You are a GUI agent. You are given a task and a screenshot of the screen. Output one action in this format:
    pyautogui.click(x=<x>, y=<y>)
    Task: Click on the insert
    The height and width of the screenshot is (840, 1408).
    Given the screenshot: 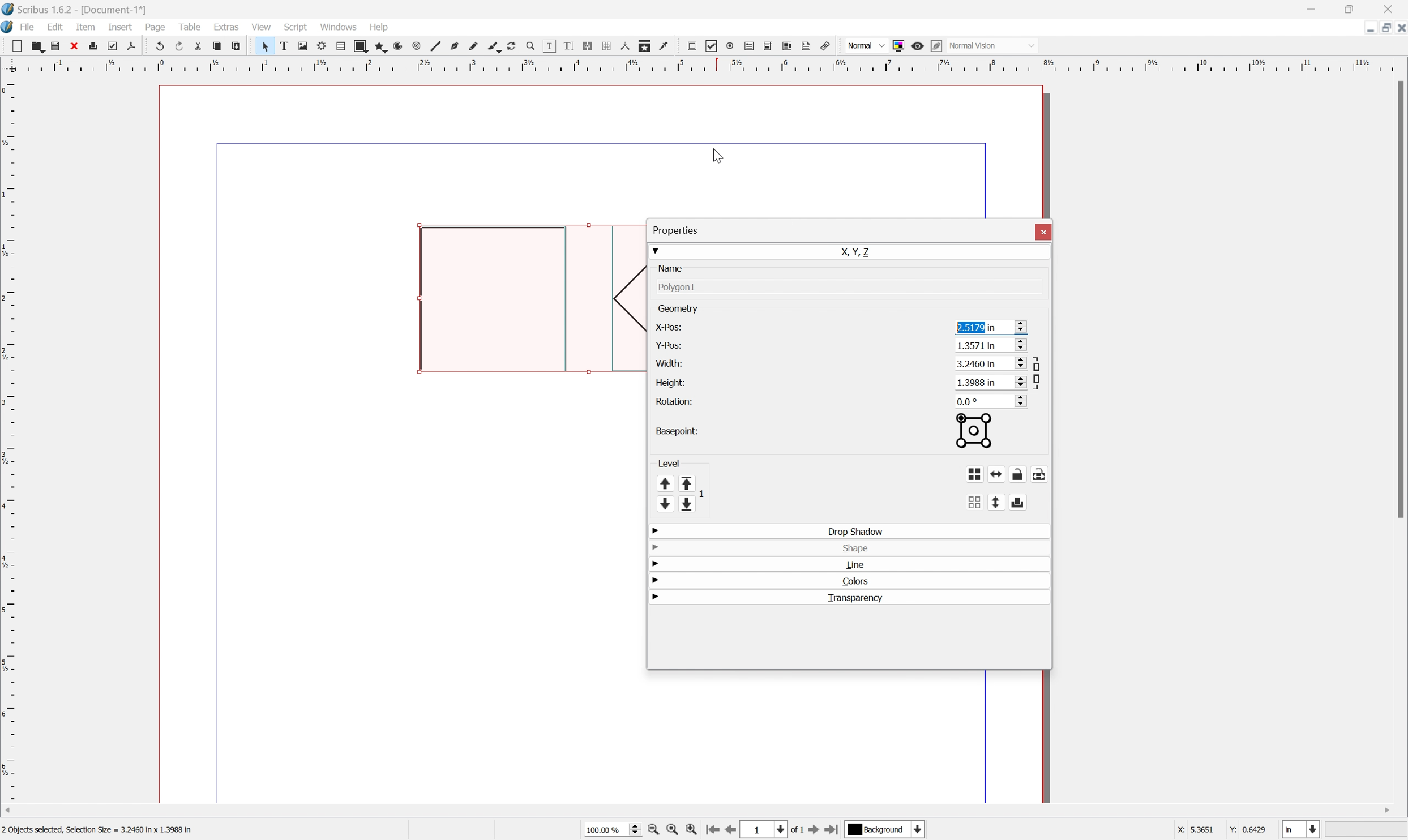 What is the action you would take?
    pyautogui.click(x=121, y=25)
    